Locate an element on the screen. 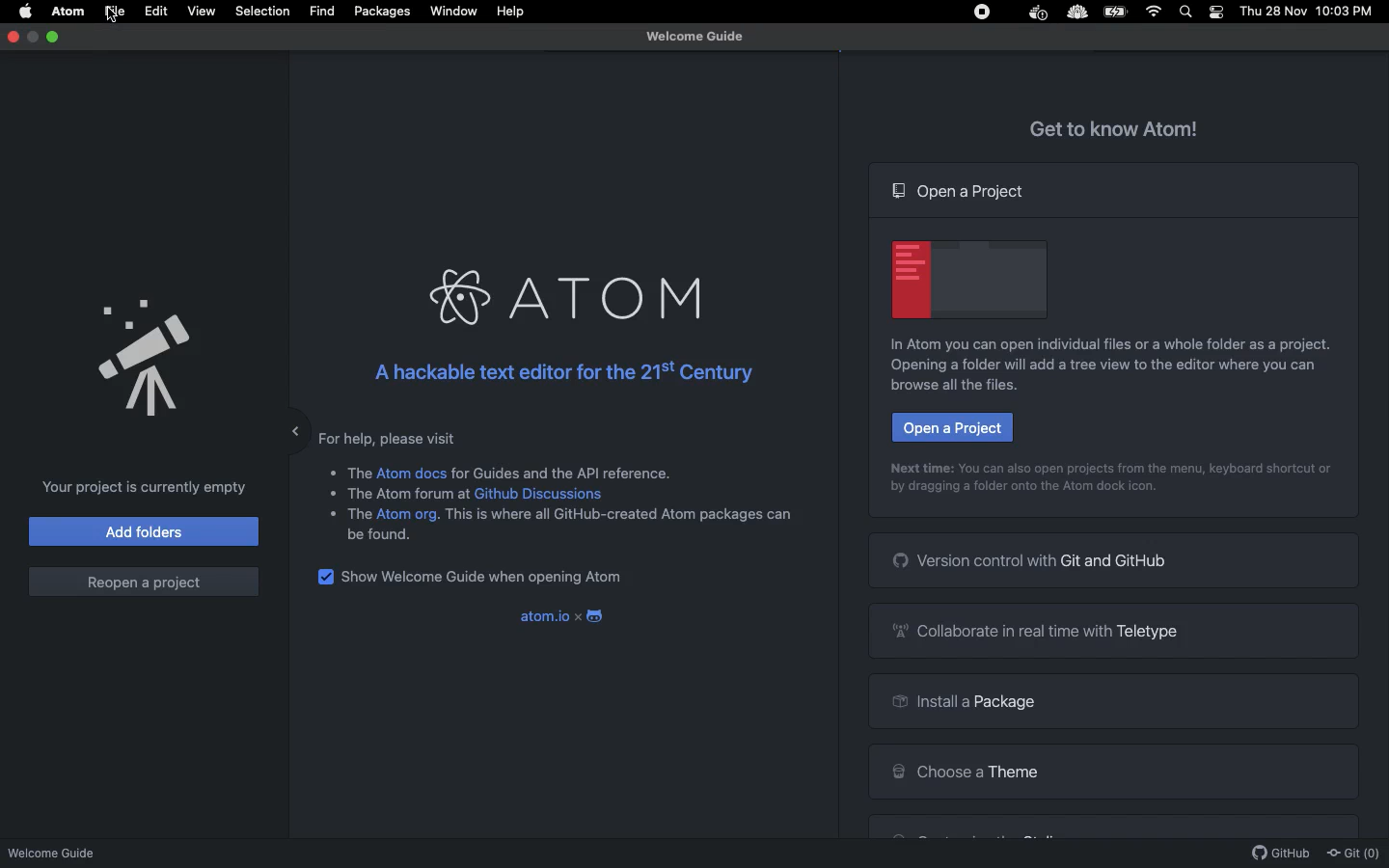 This screenshot has width=1389, height=868. Your project is currently empty is located at coordinates (139, 487).